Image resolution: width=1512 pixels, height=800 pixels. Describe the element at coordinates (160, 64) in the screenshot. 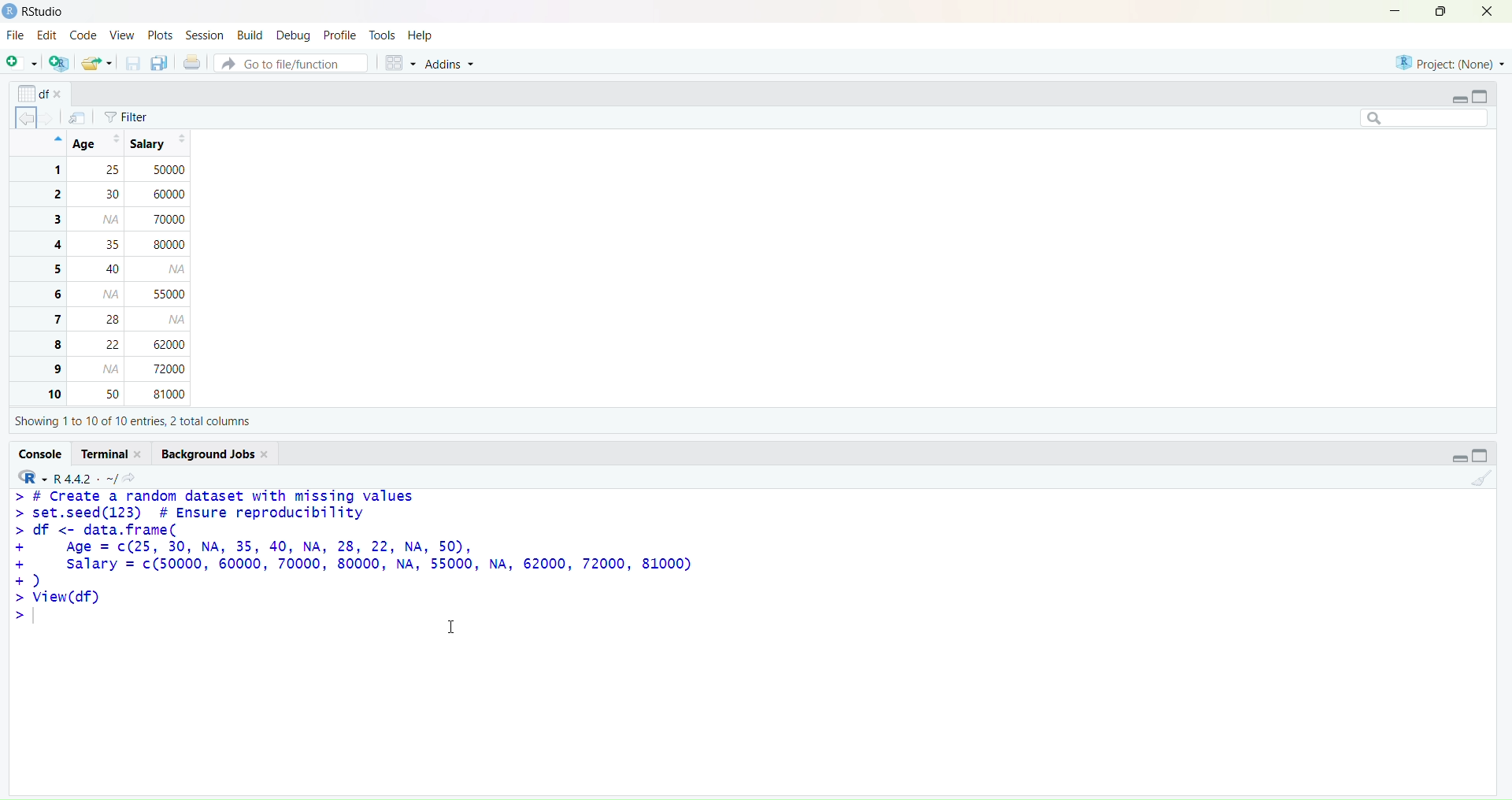

I see `save all open documents` at that location.